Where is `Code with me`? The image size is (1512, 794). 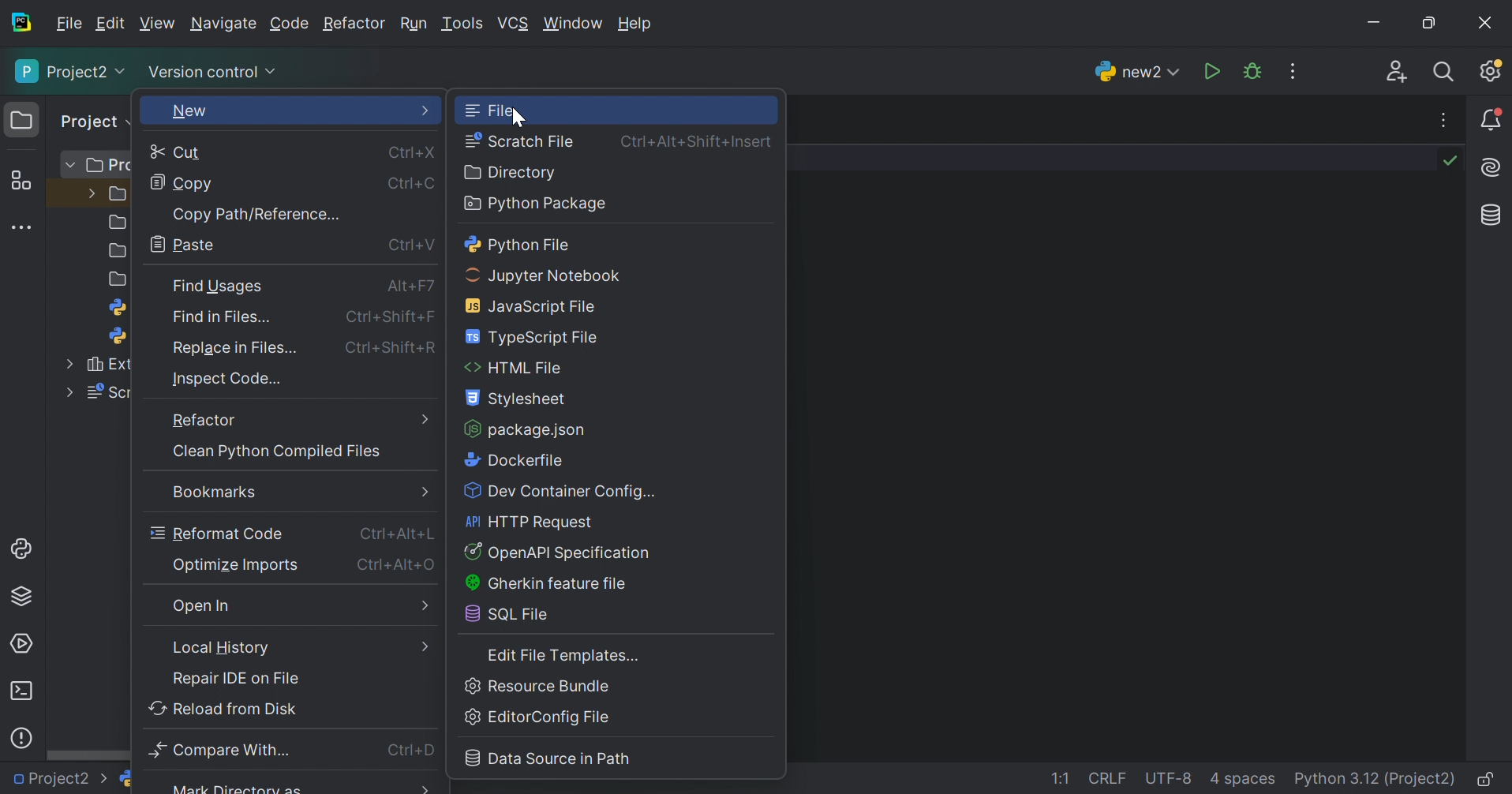
Code with me is located at coordinates (1398, 72).